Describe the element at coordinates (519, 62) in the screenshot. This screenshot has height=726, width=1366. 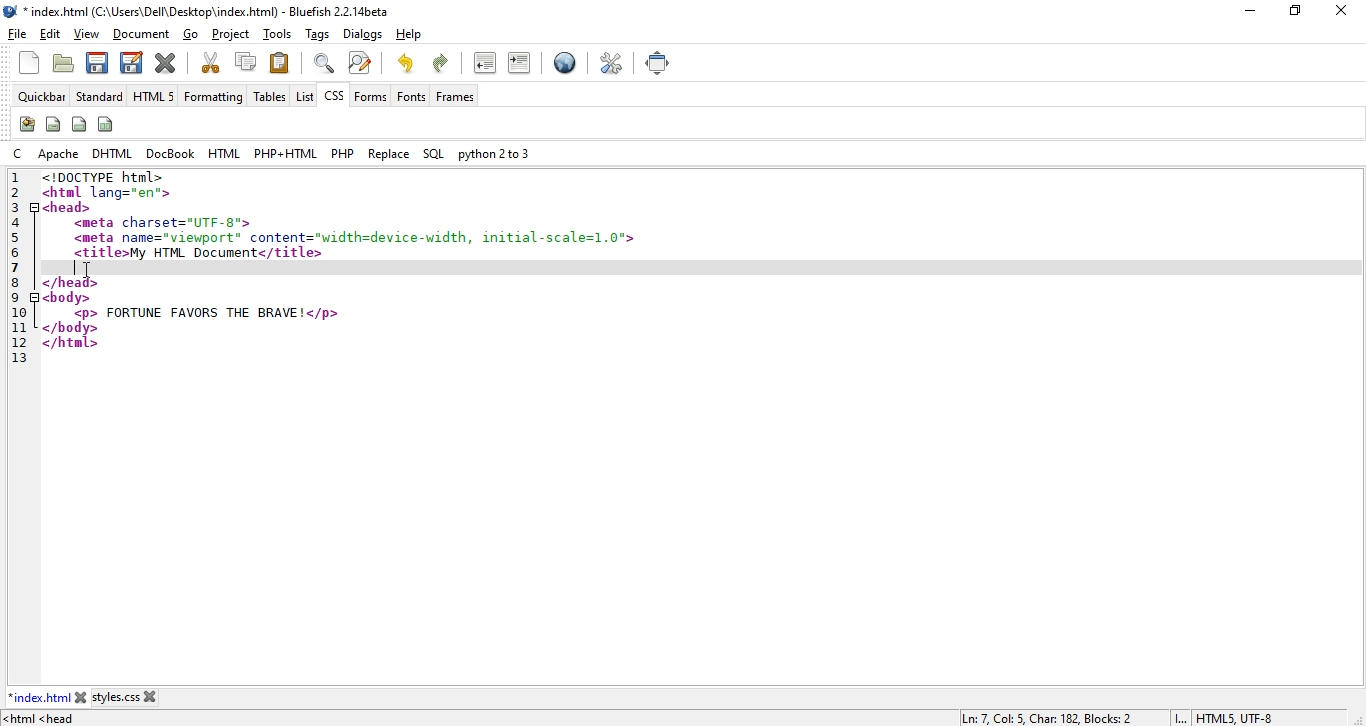
I see `indent` at that location.